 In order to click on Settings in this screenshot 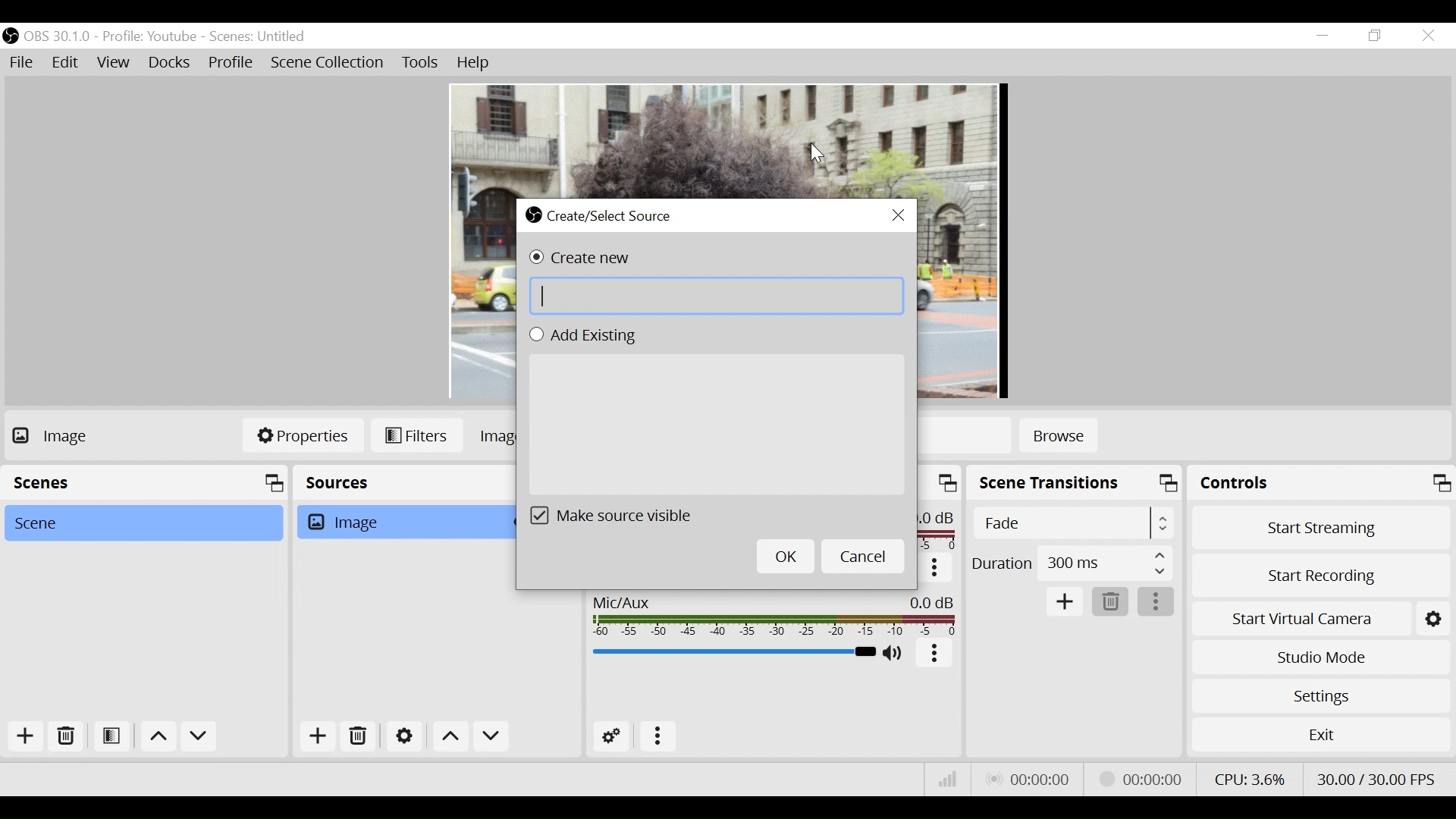, I will do `click(1321, 694)`.